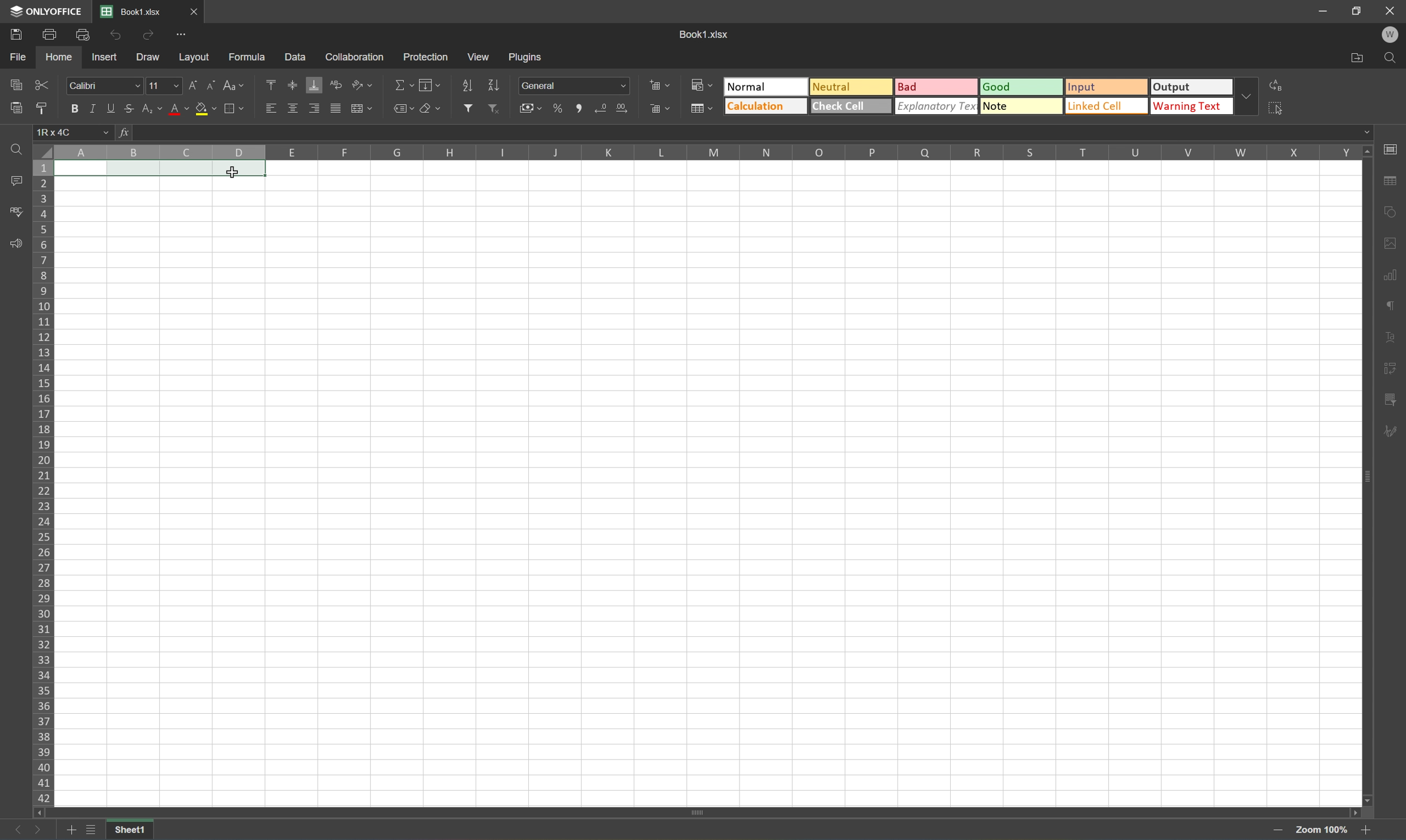 This screenshot has width=1406, height=840. Describe the element at coordinates (238, 108) in the screenshot. I see `Borders` at that location.